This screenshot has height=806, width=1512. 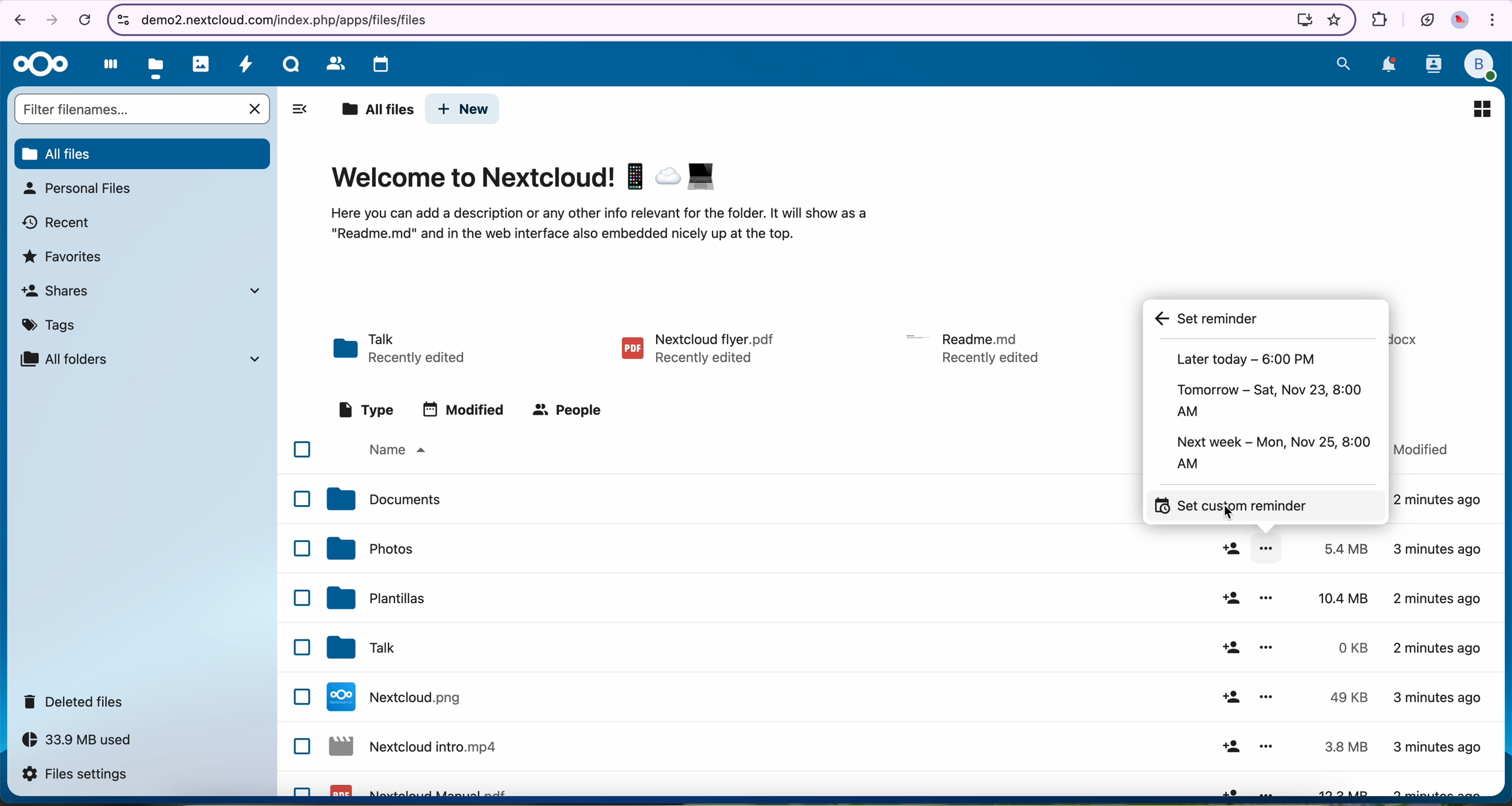 I want to click on profile picture, so click(x=1462, y=22).